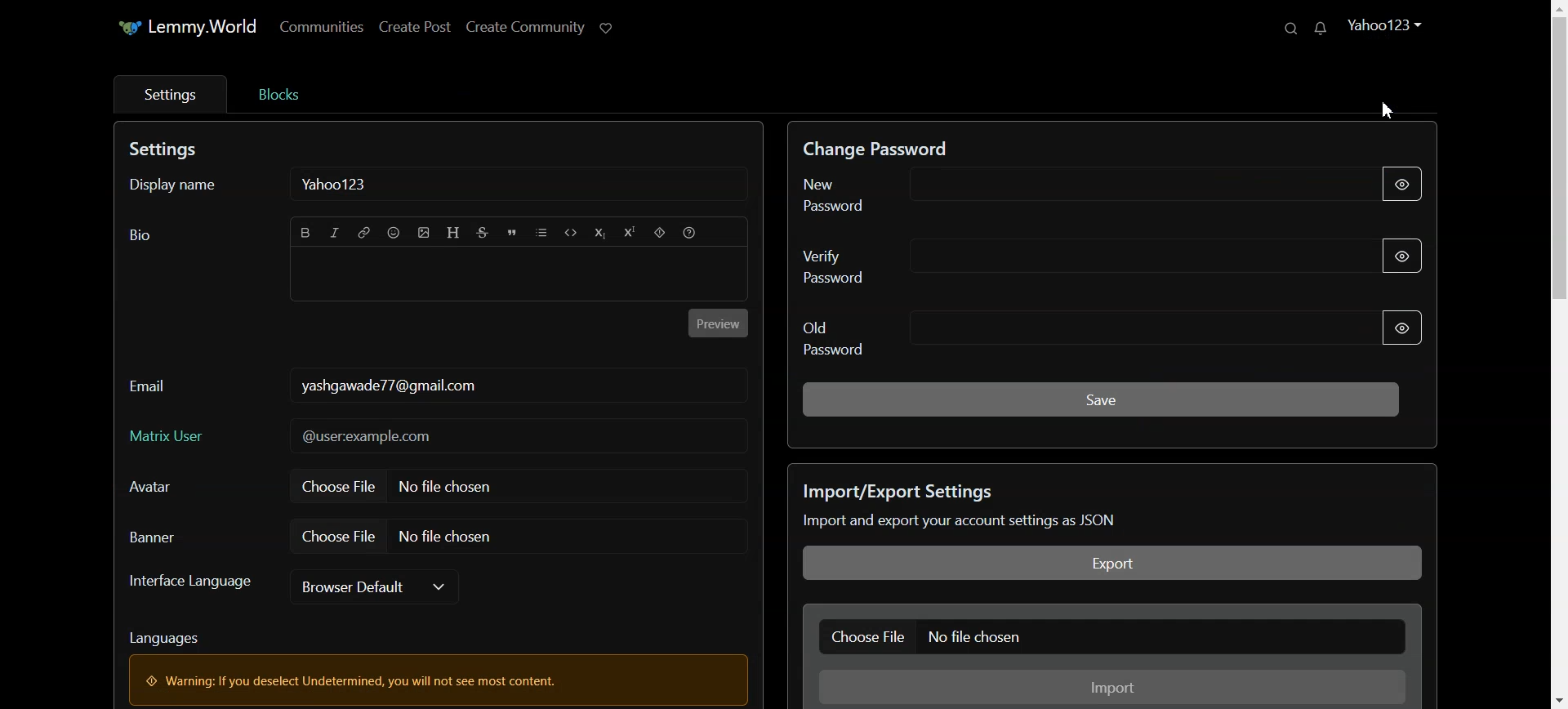 The height and width of the screenshot is (709, 1568). Describe the element at coordinates (1401, 327) in the screenshot. I see `Show Password` at that location.